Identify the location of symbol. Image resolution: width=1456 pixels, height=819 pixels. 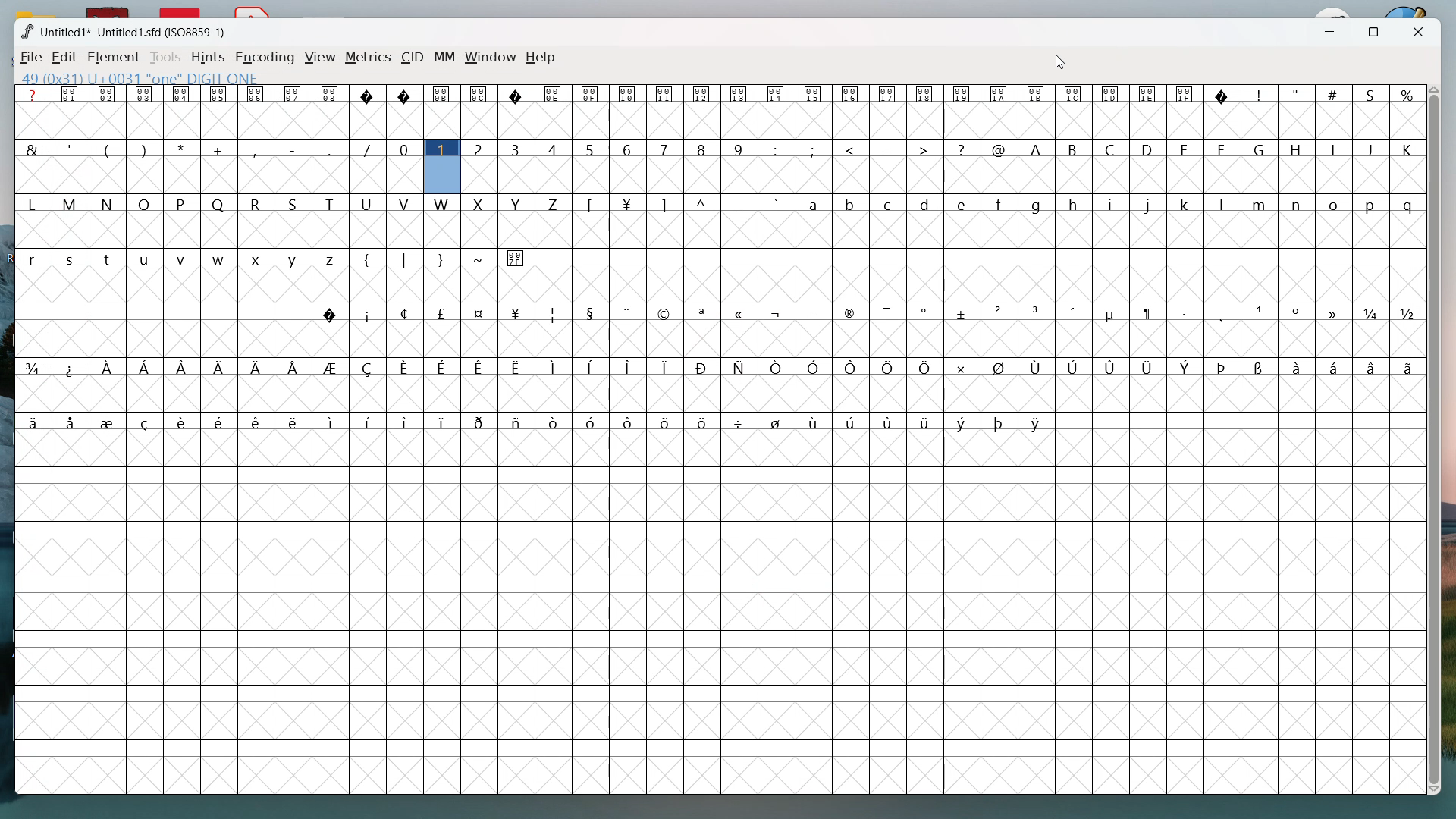
(1110, 313).